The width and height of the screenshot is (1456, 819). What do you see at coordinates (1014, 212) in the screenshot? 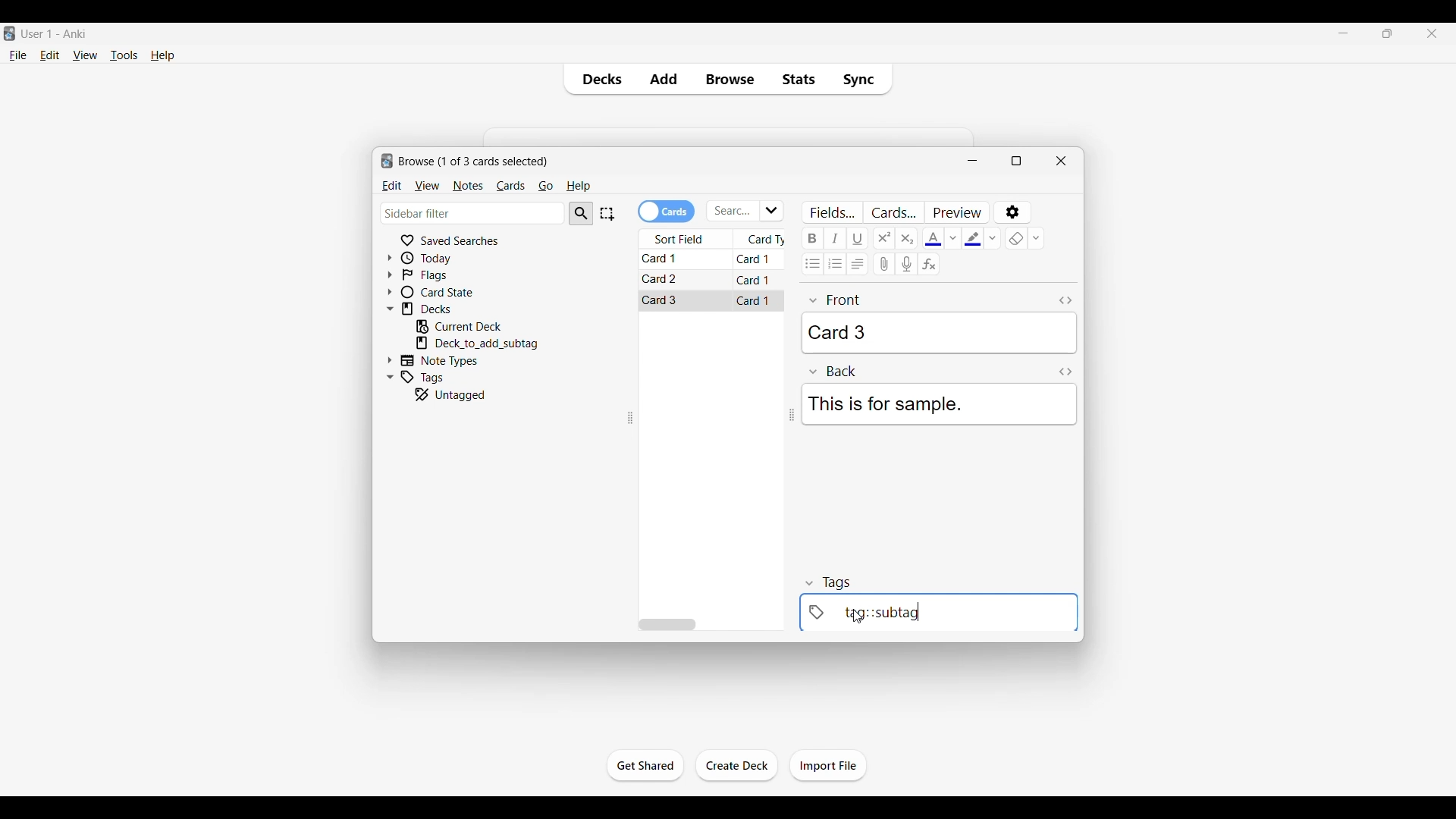
I see `Options` at bounding box center [1014, 212].